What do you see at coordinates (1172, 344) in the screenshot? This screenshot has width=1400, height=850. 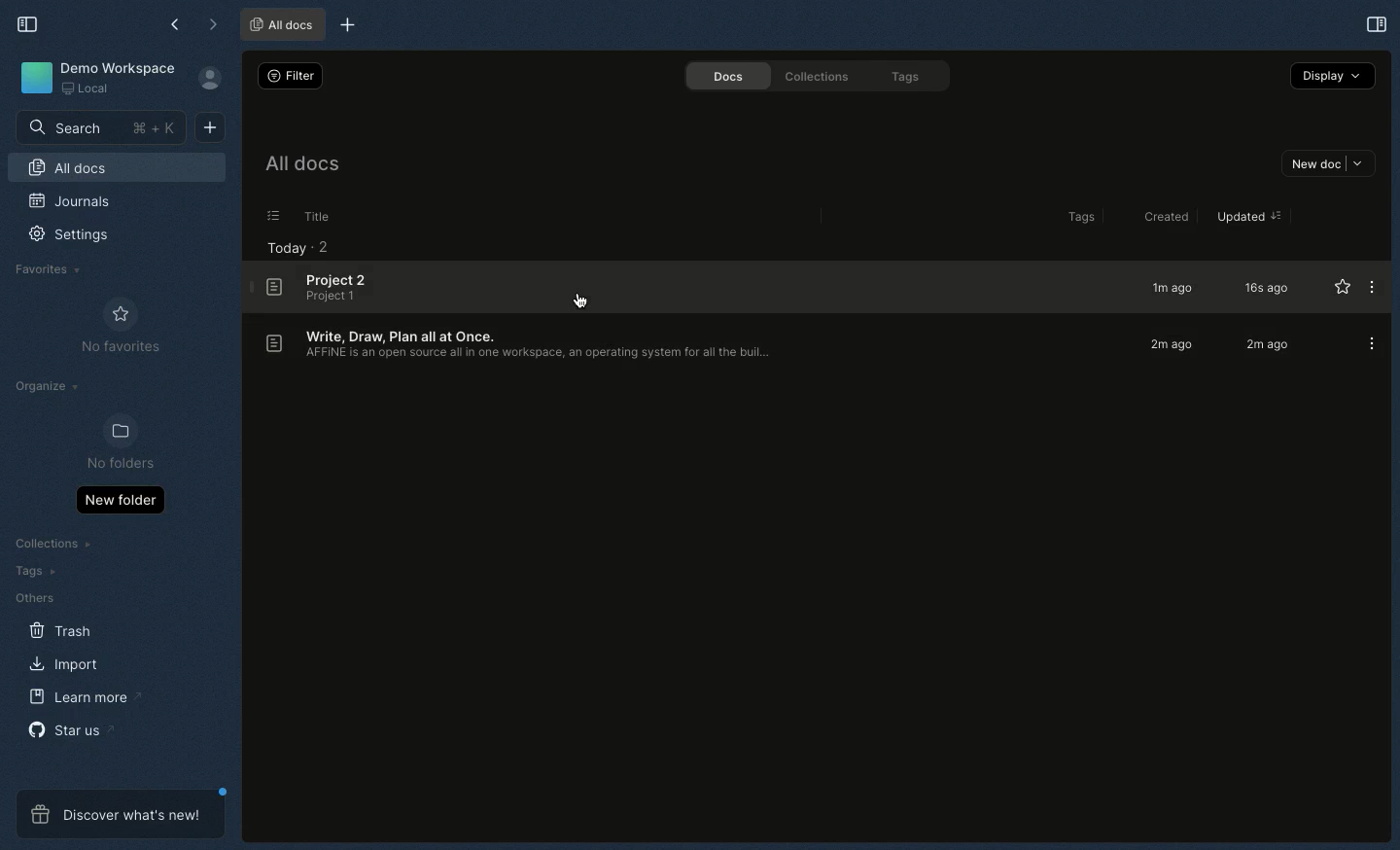 I see `2m ago` at bounding box center [1172, 344].